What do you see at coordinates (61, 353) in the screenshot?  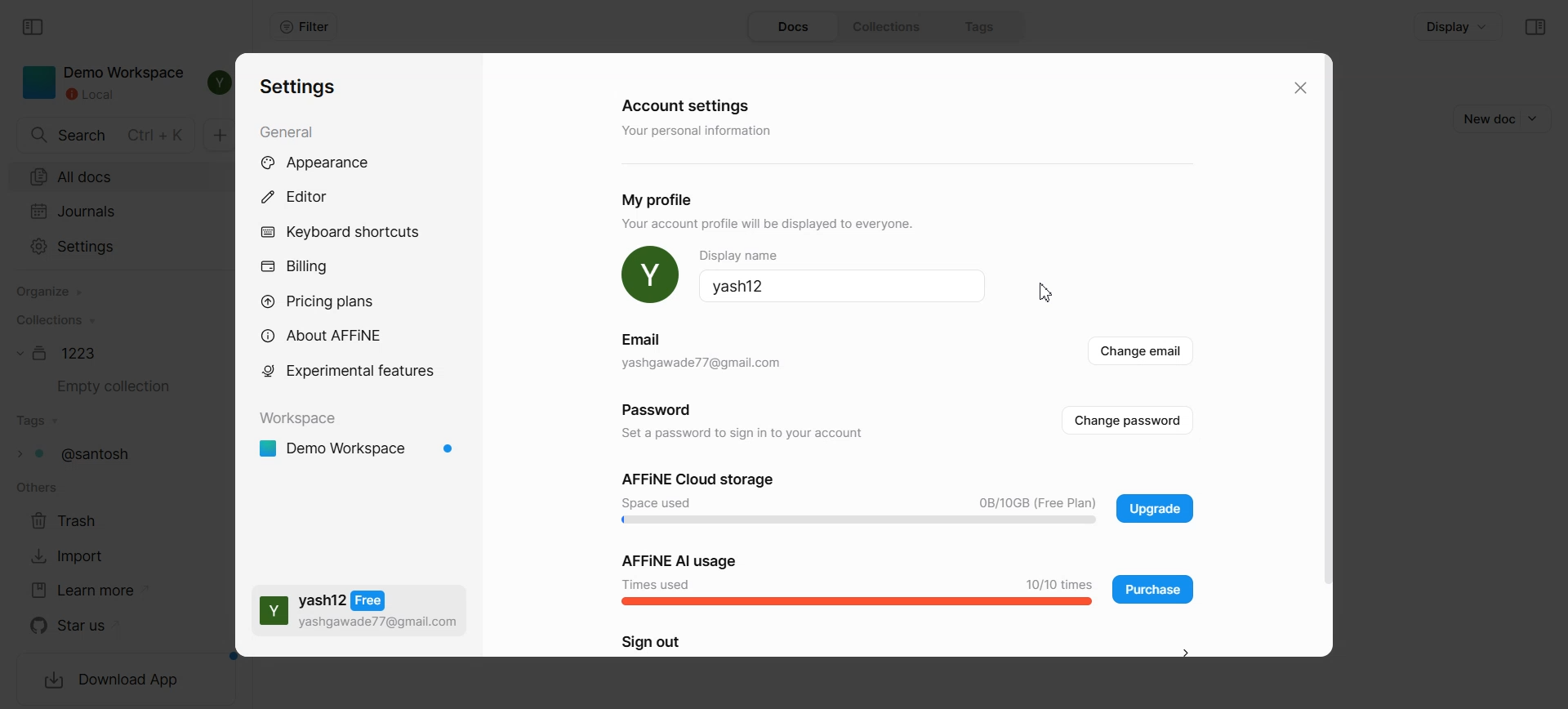 I see `Document` at bounding box center [61, 353].